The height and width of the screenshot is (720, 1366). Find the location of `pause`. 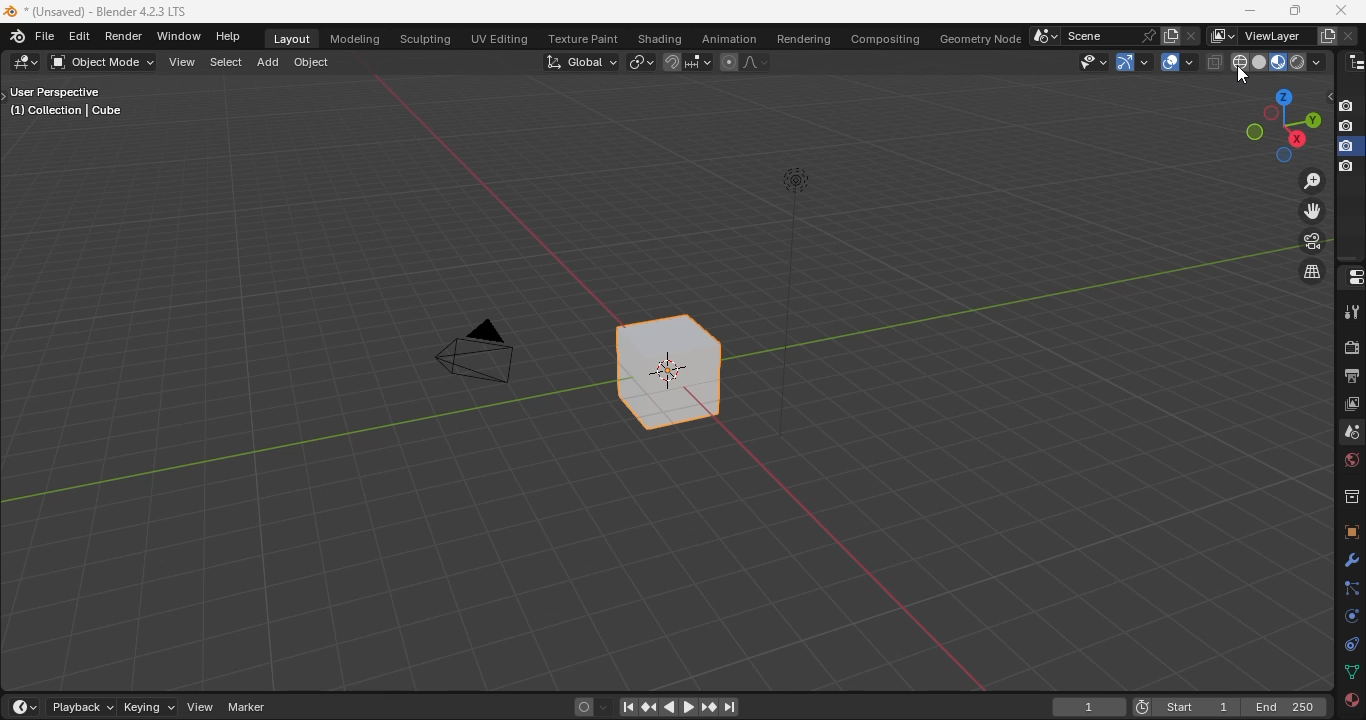

pause is located at coordinates (628, 708).